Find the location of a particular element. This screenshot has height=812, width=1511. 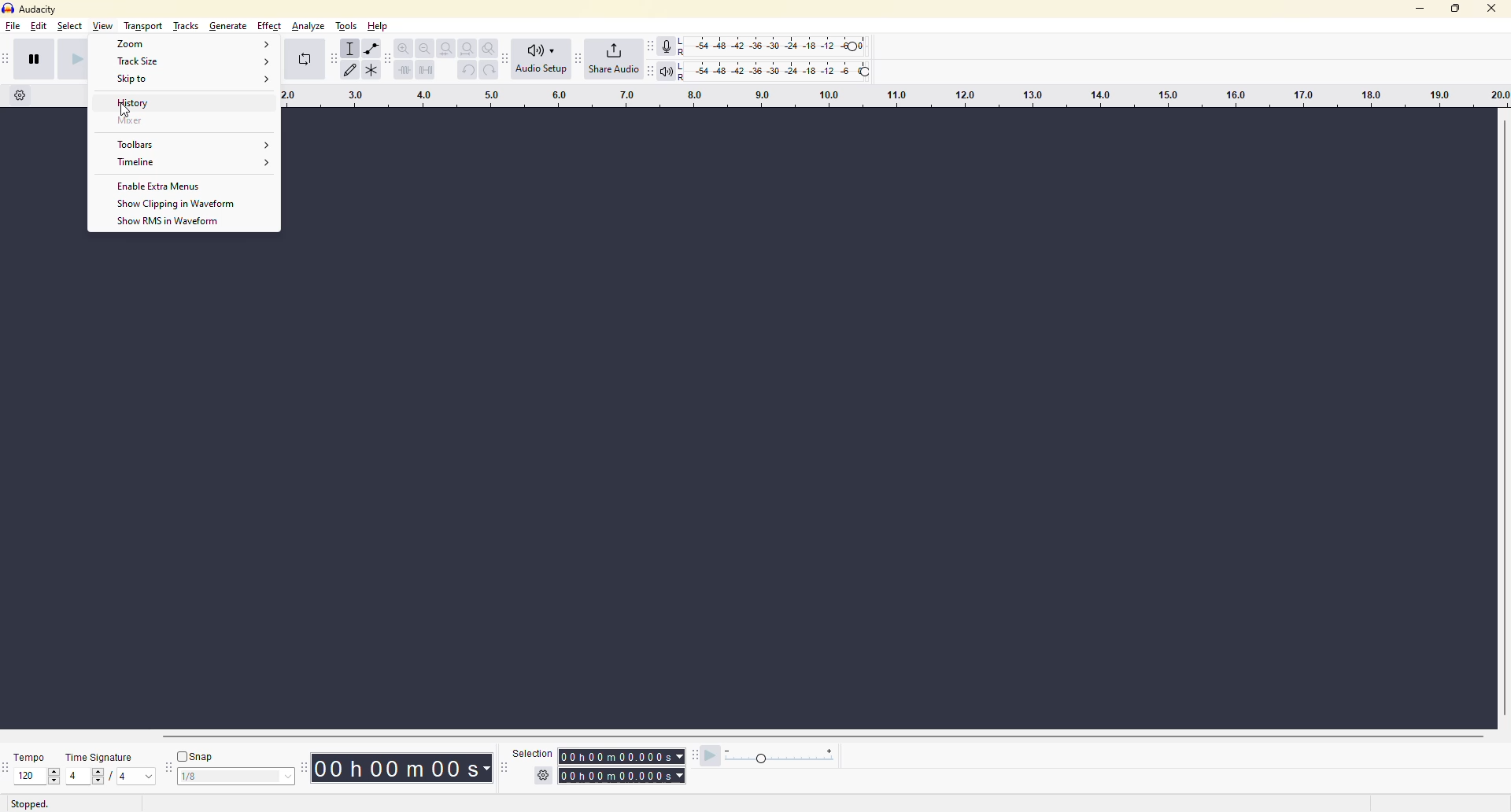

close is located at coordinates (1489, 12).